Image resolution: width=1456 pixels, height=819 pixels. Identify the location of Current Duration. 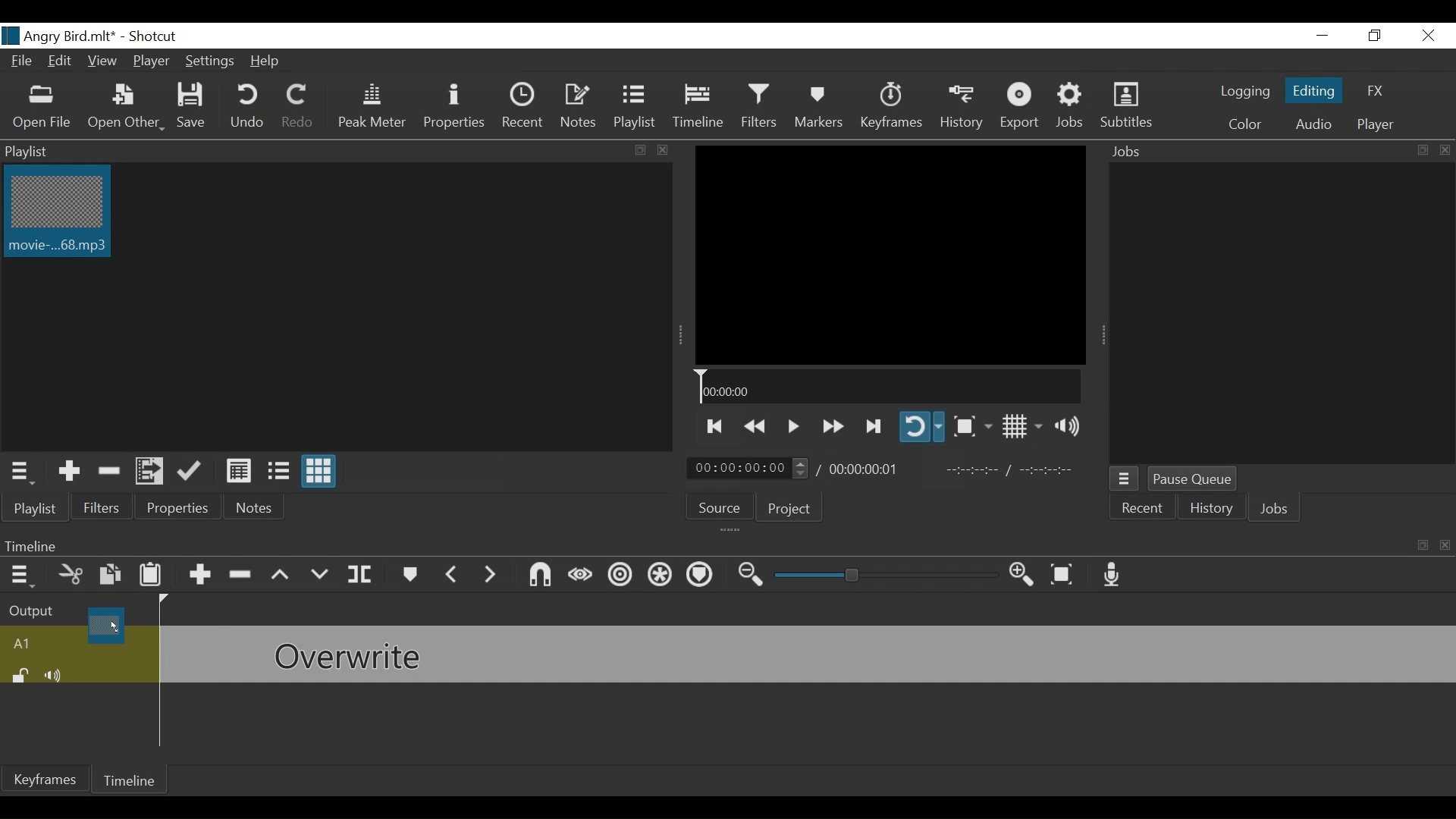
(752, 468).